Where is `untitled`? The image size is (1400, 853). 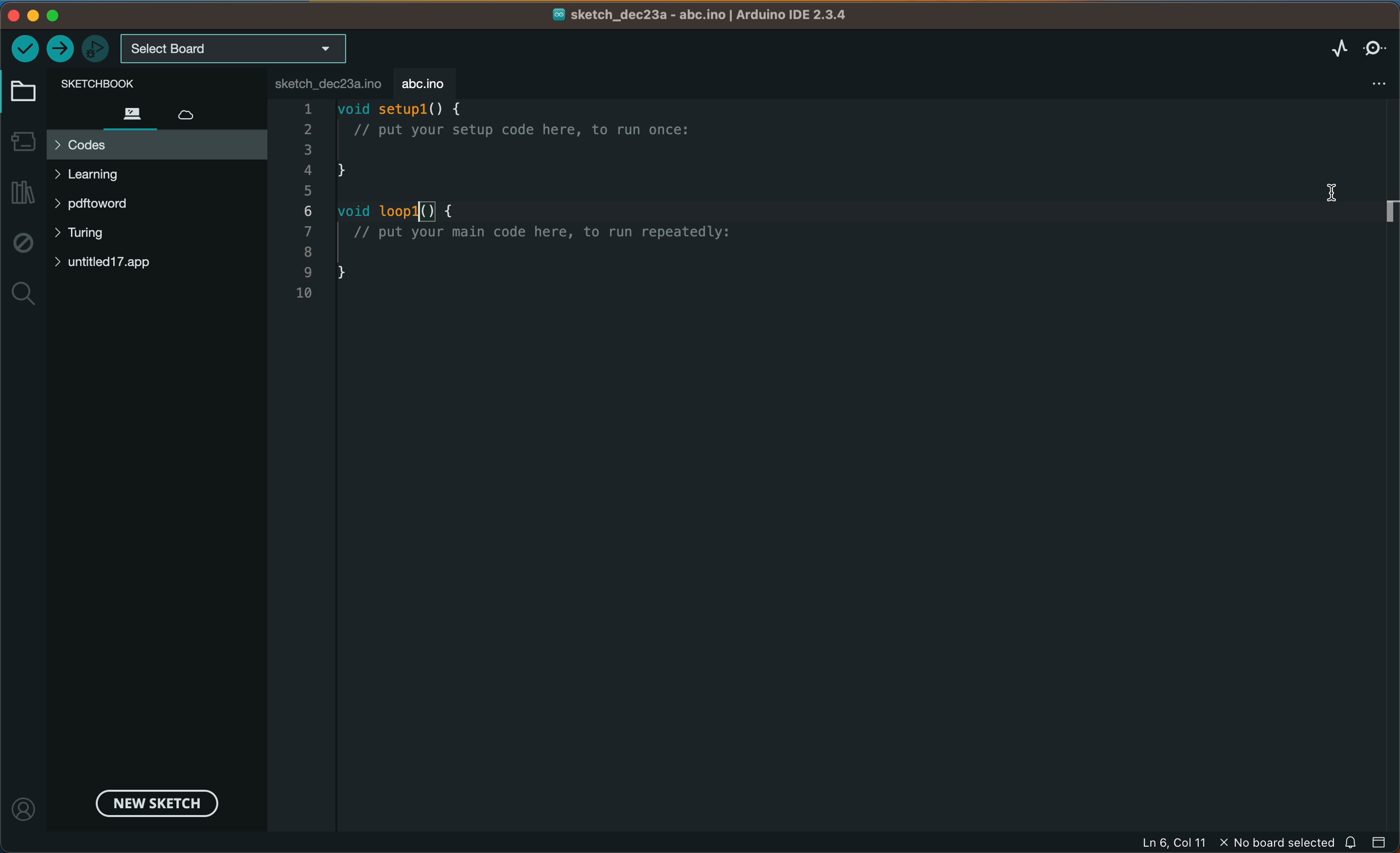
untitled is located at coordinates (145, 263).